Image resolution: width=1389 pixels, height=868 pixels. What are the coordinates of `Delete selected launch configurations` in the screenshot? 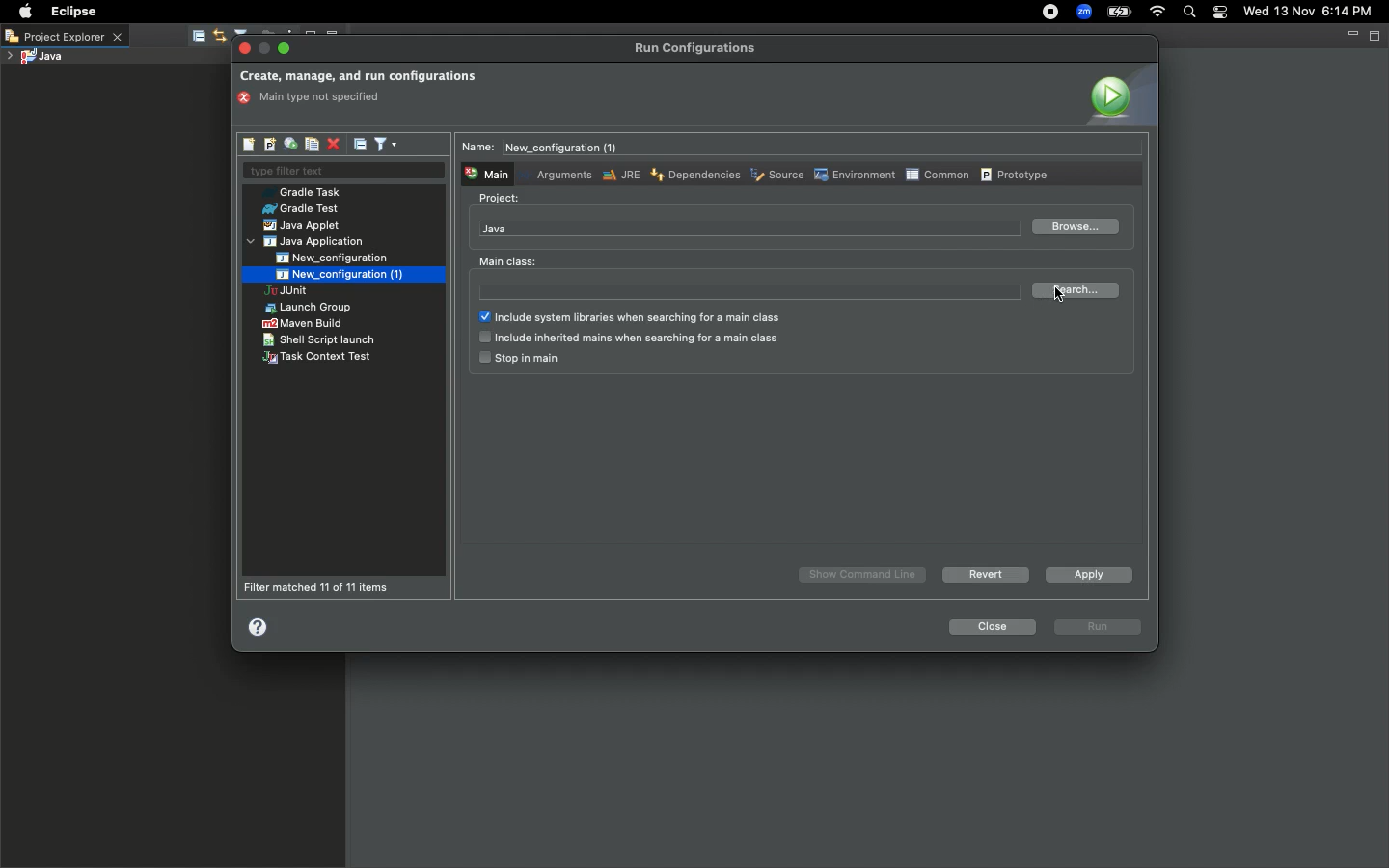 It's located at (333, 146).